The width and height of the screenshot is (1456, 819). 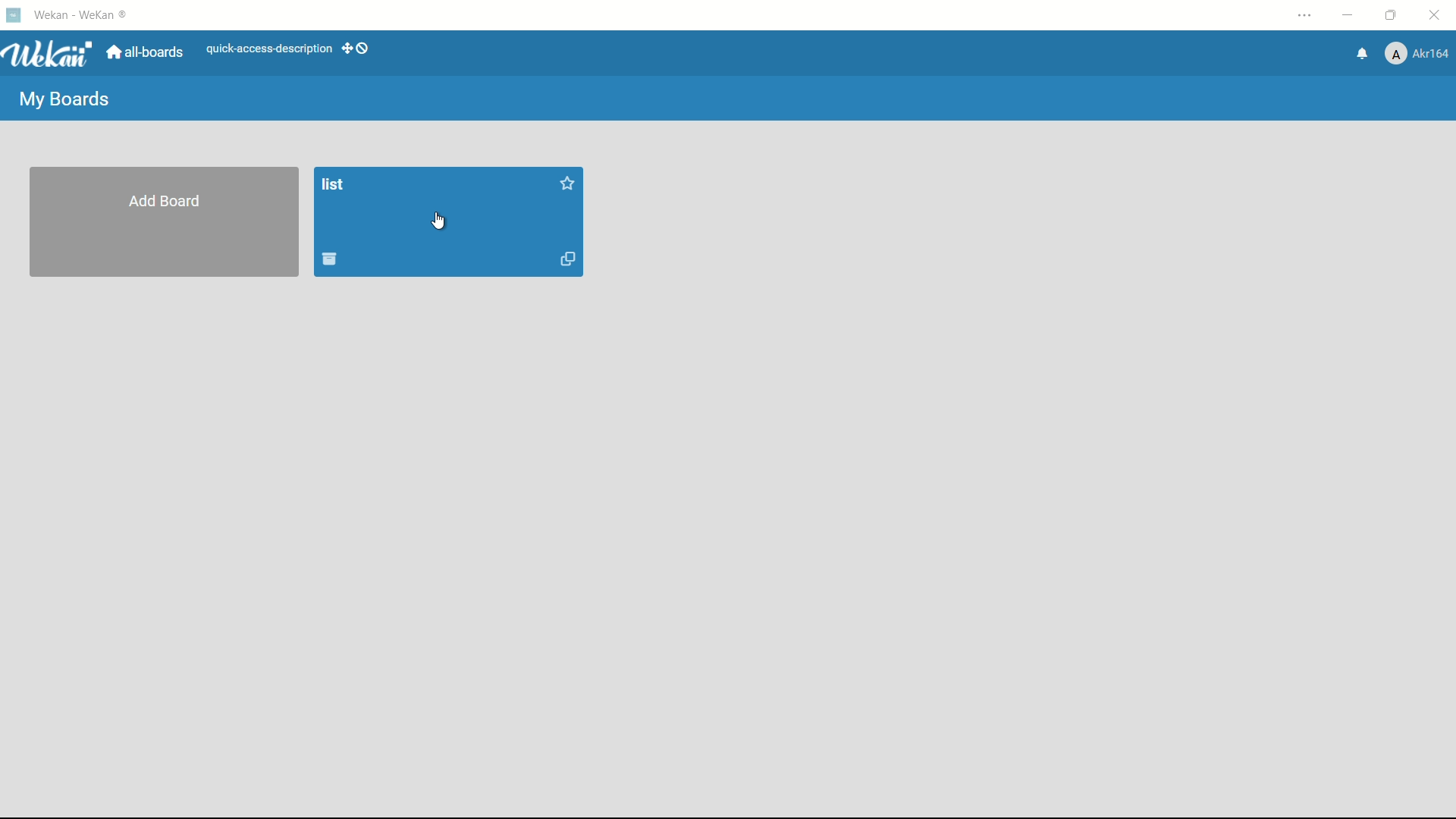 I want to click on add board, so click(x=167, y=202).